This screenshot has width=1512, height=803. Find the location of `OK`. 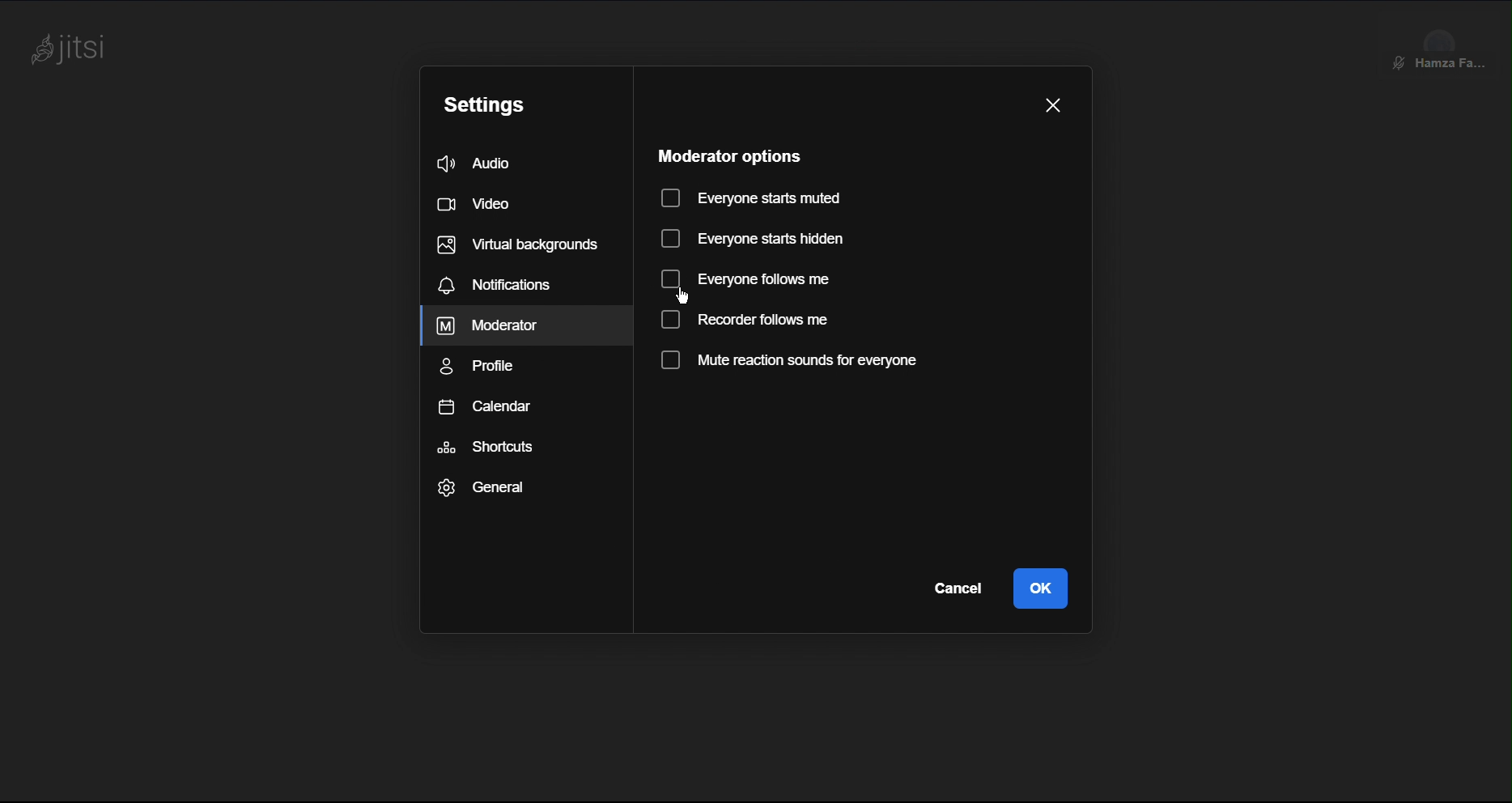

OK is located at coordinates (1041, 588).